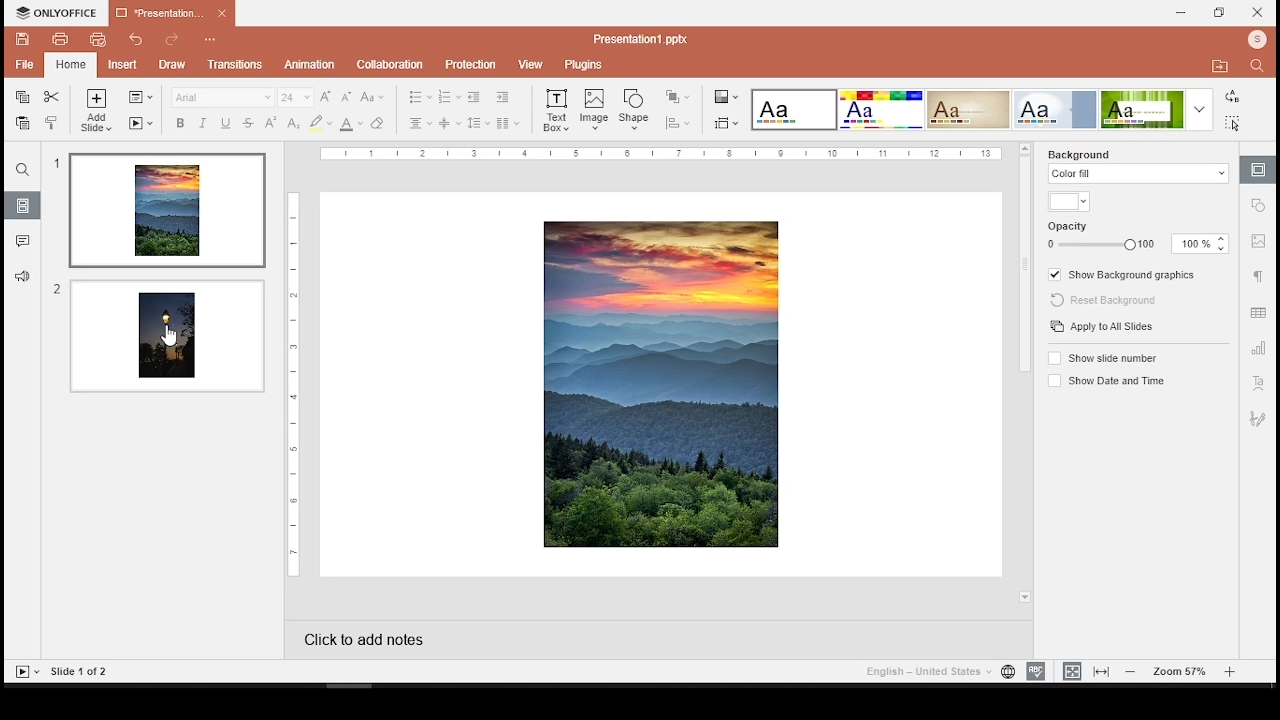 This screenshot has width=1280, height=720. Describe the element at coordinates (1023, 375) in the screenshot. I see `scroll bar` at that location.